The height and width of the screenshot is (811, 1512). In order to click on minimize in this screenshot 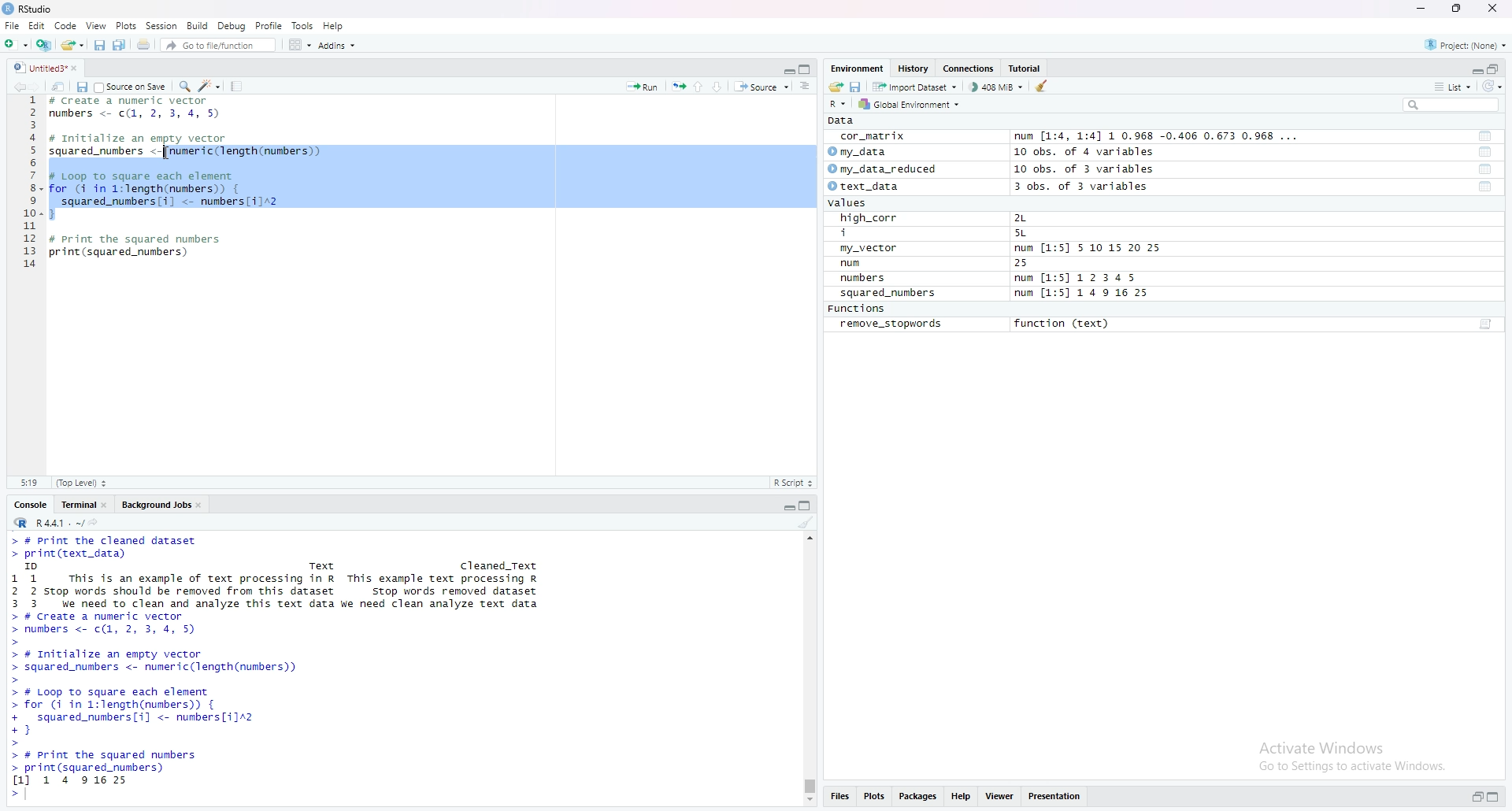, I will do `click(787, 504)`.